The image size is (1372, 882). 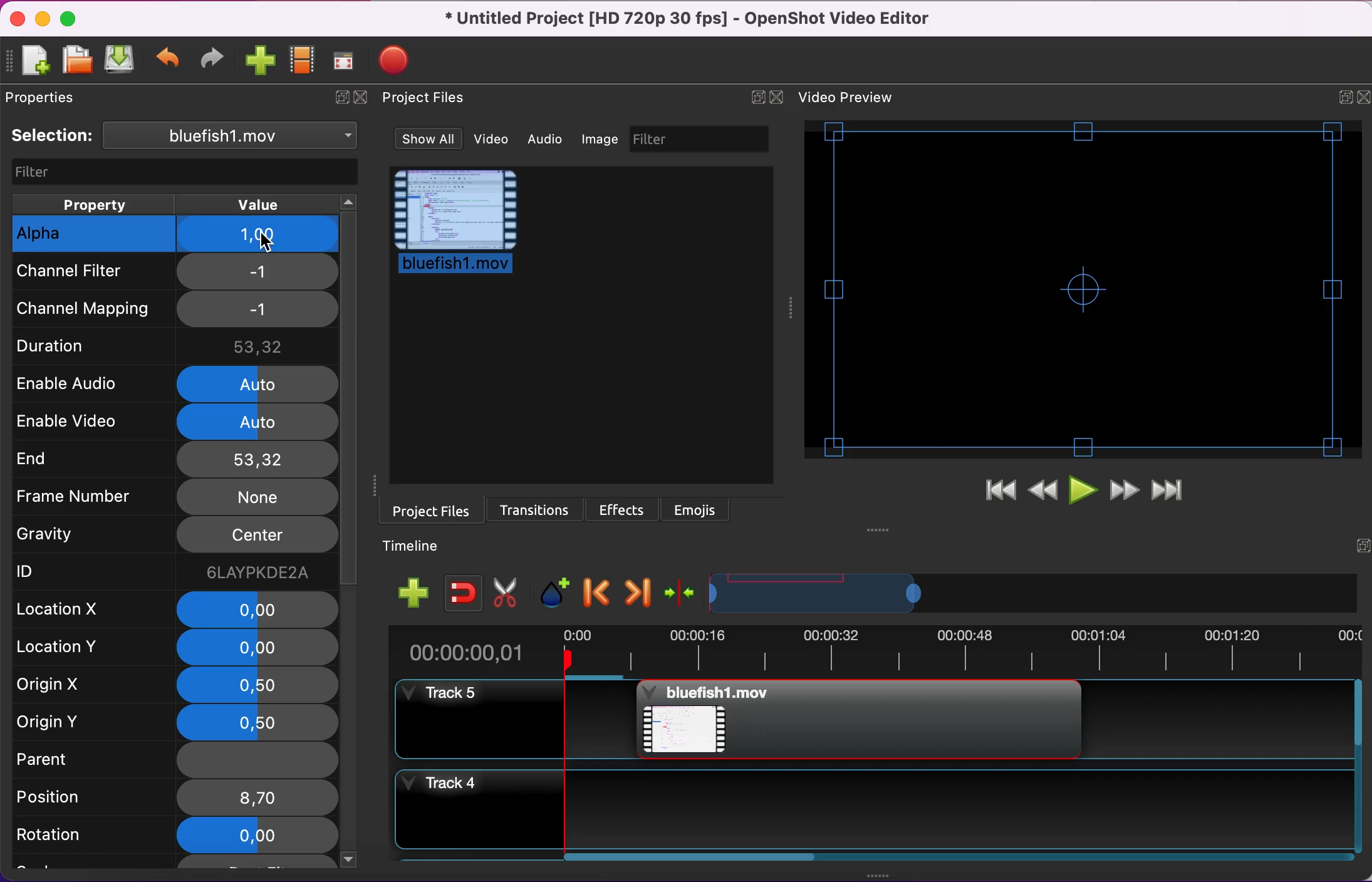 I want to click on location y, so click(x=76, y=650).